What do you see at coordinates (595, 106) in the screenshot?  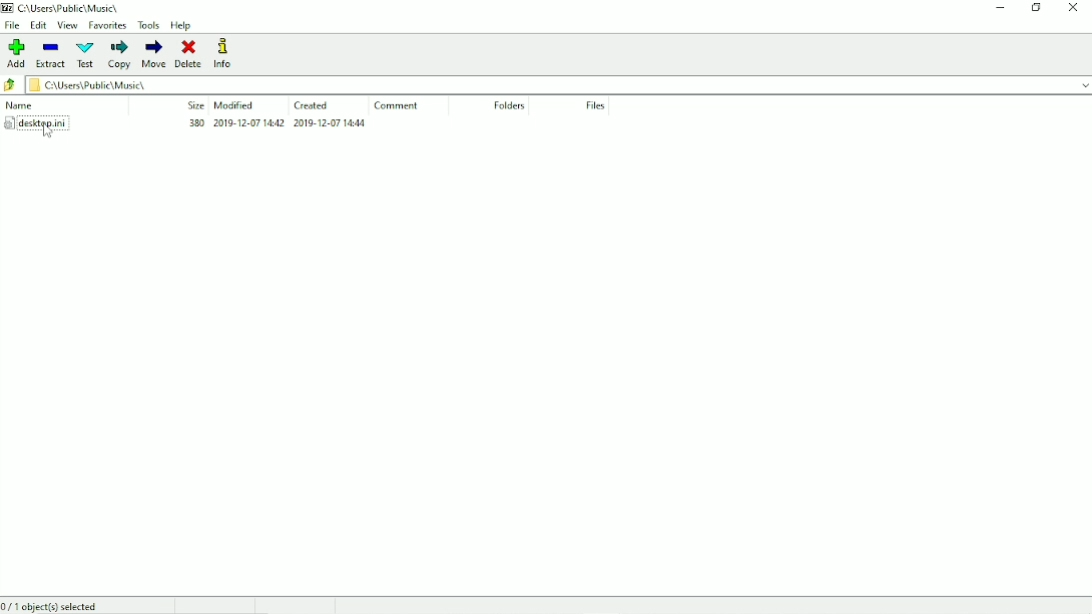 I see `Files` at bounding box center [595, 106].